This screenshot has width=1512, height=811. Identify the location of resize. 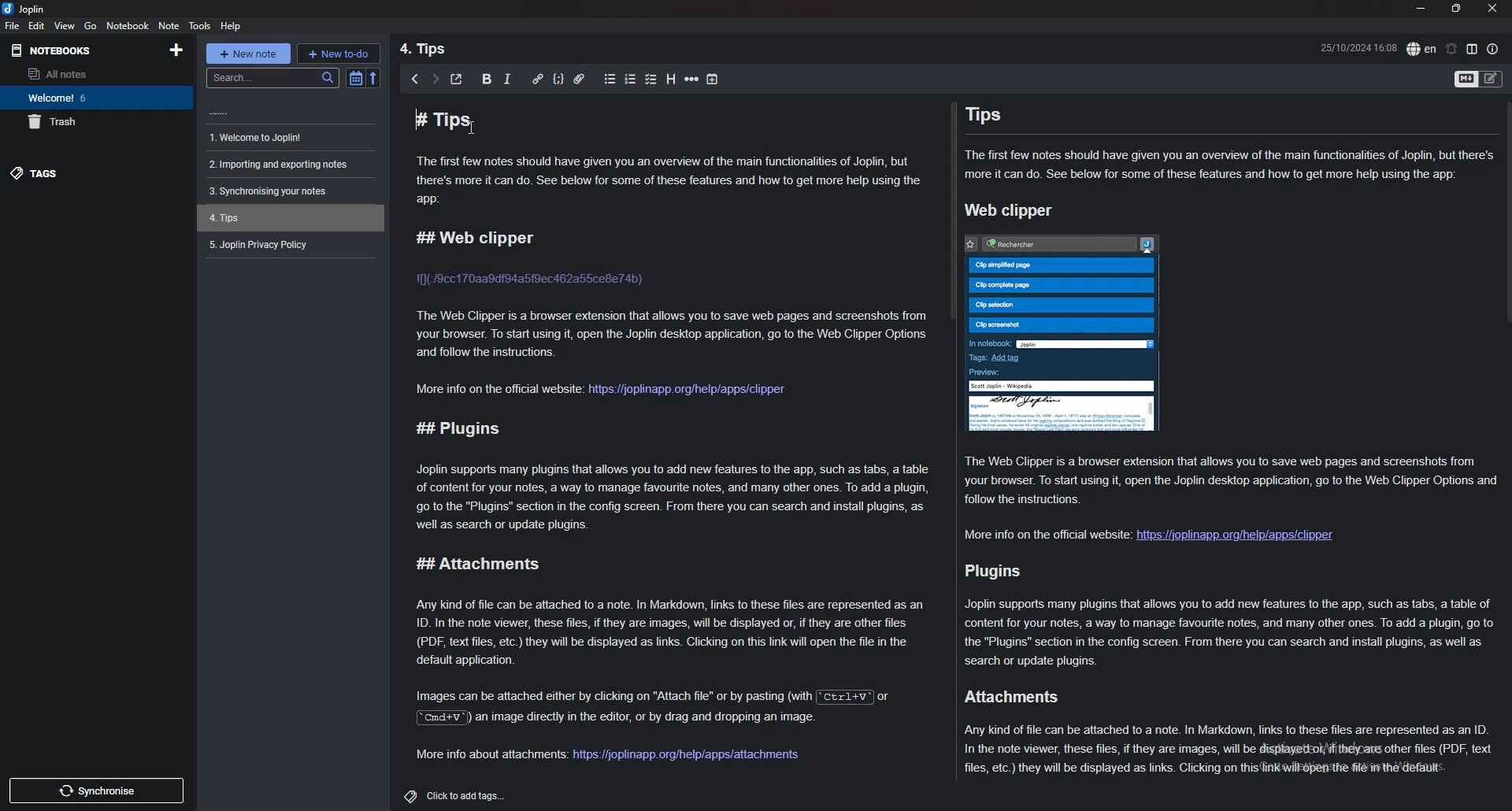
(1460, 9).